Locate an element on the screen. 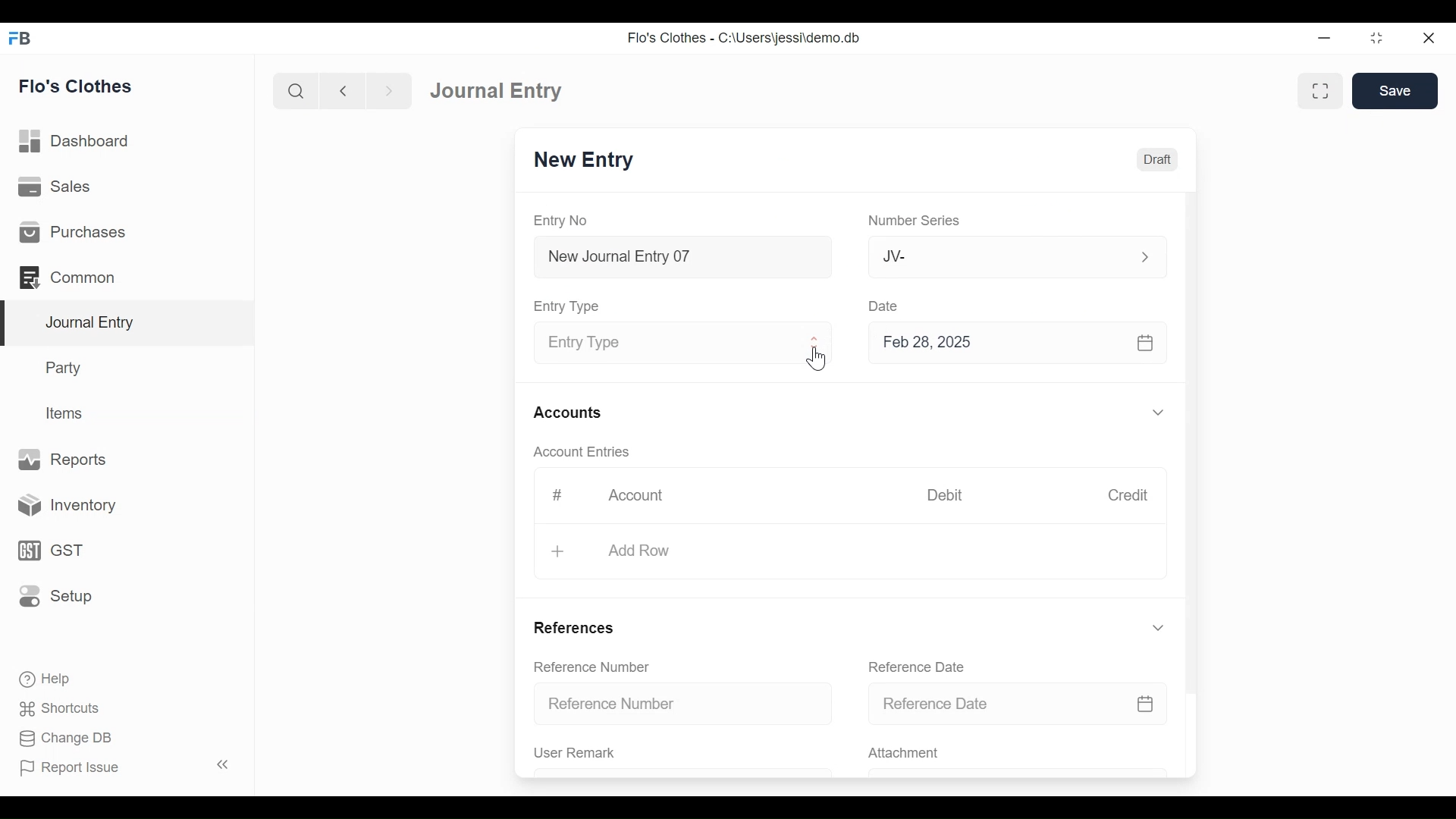 The image size is (1456, 819). + Add Row is located at coordinates (629, 551).